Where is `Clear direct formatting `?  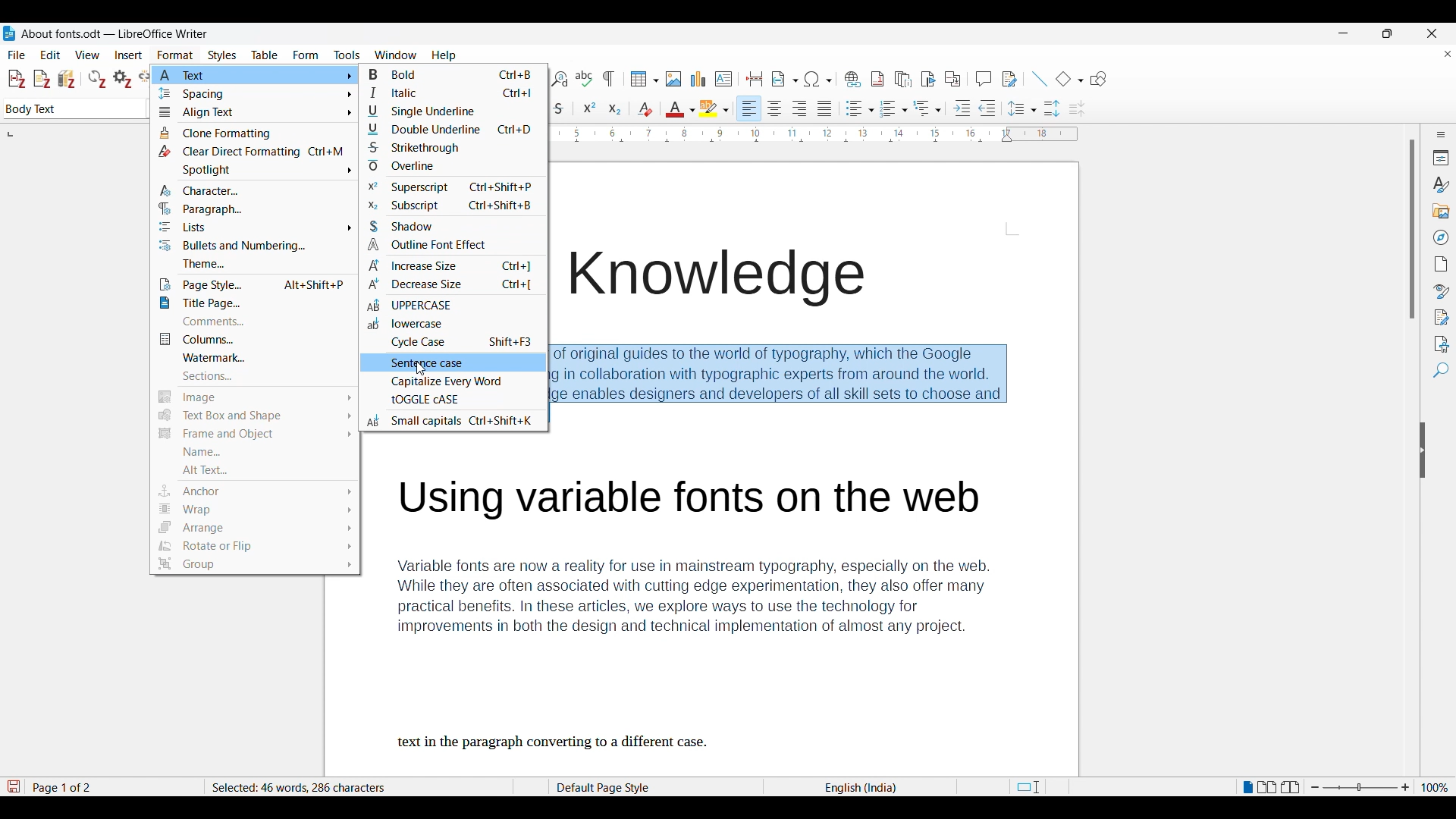 Clear direct formatting  is located at coordinates (645, 109).